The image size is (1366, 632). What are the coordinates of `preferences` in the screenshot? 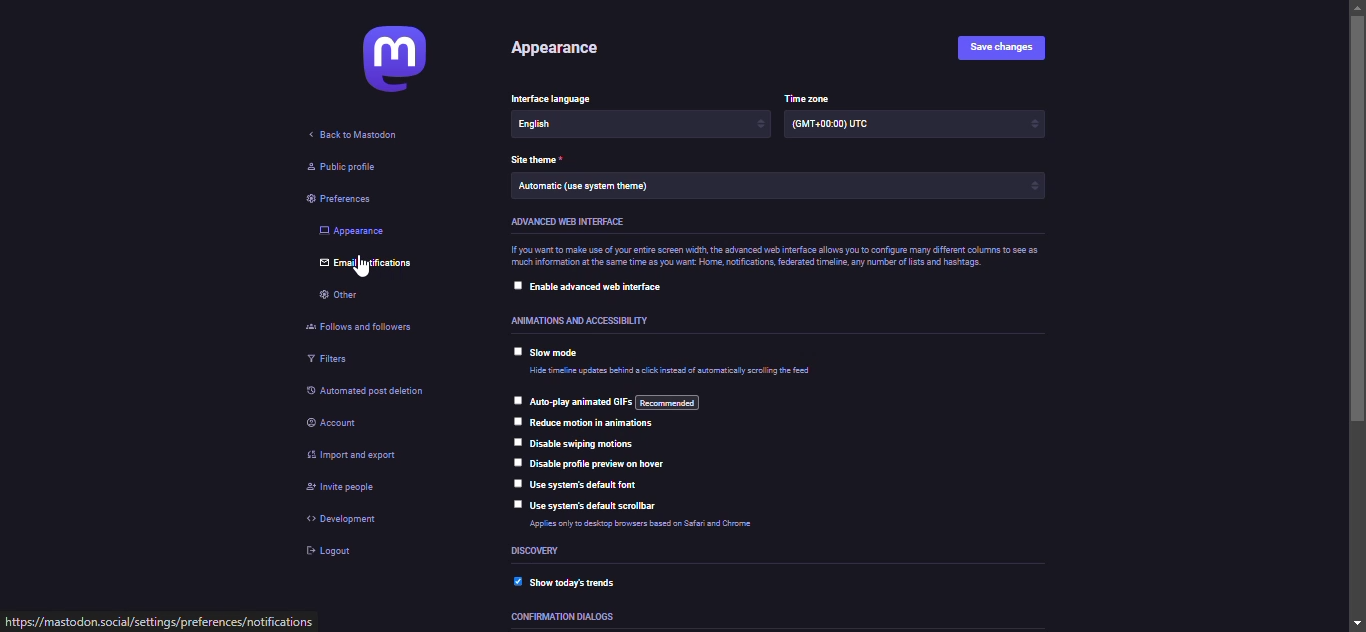 It's located at (338, 200).